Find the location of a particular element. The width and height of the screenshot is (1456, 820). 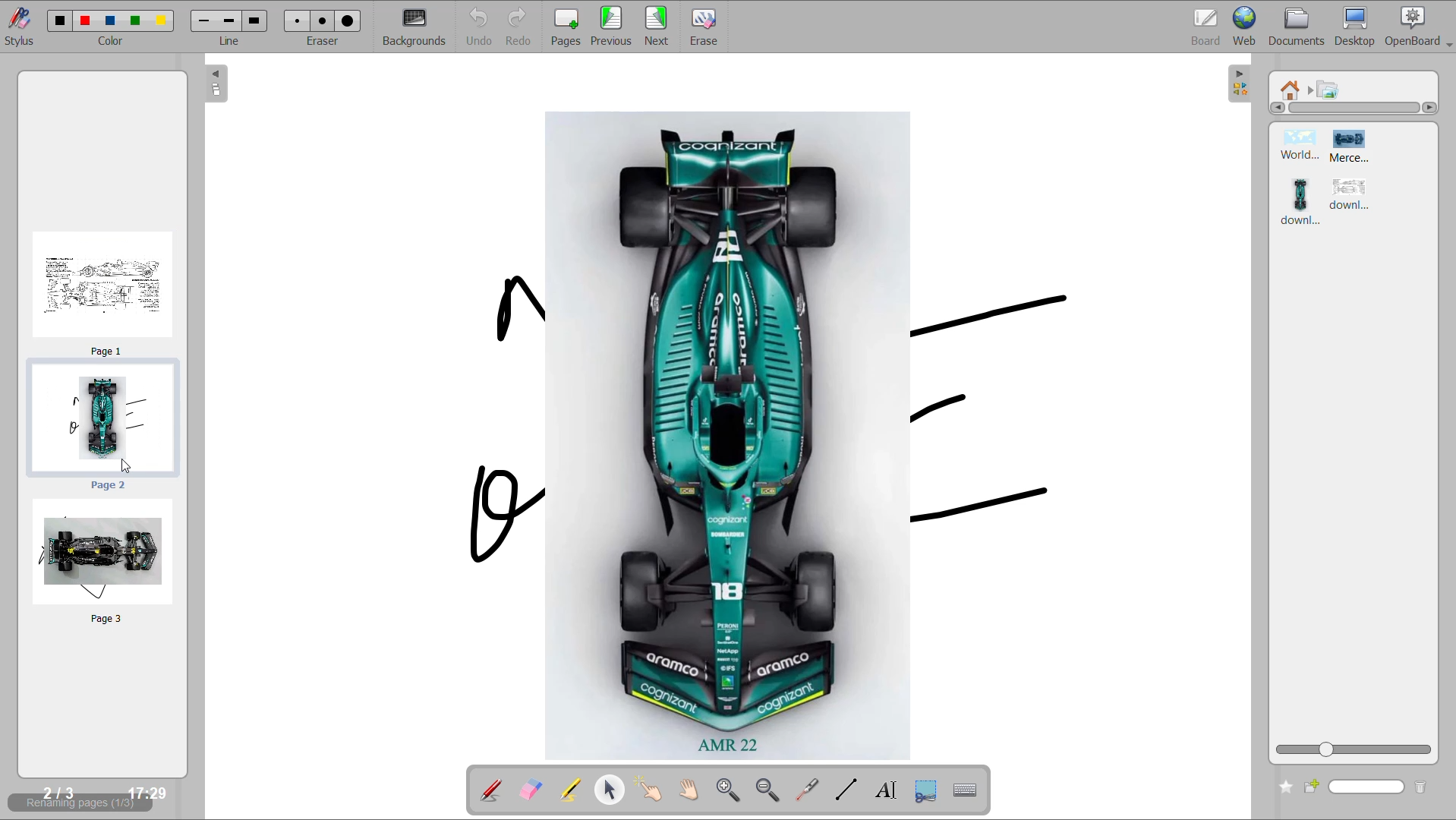

collapse is located at coordinates (1237, 85).